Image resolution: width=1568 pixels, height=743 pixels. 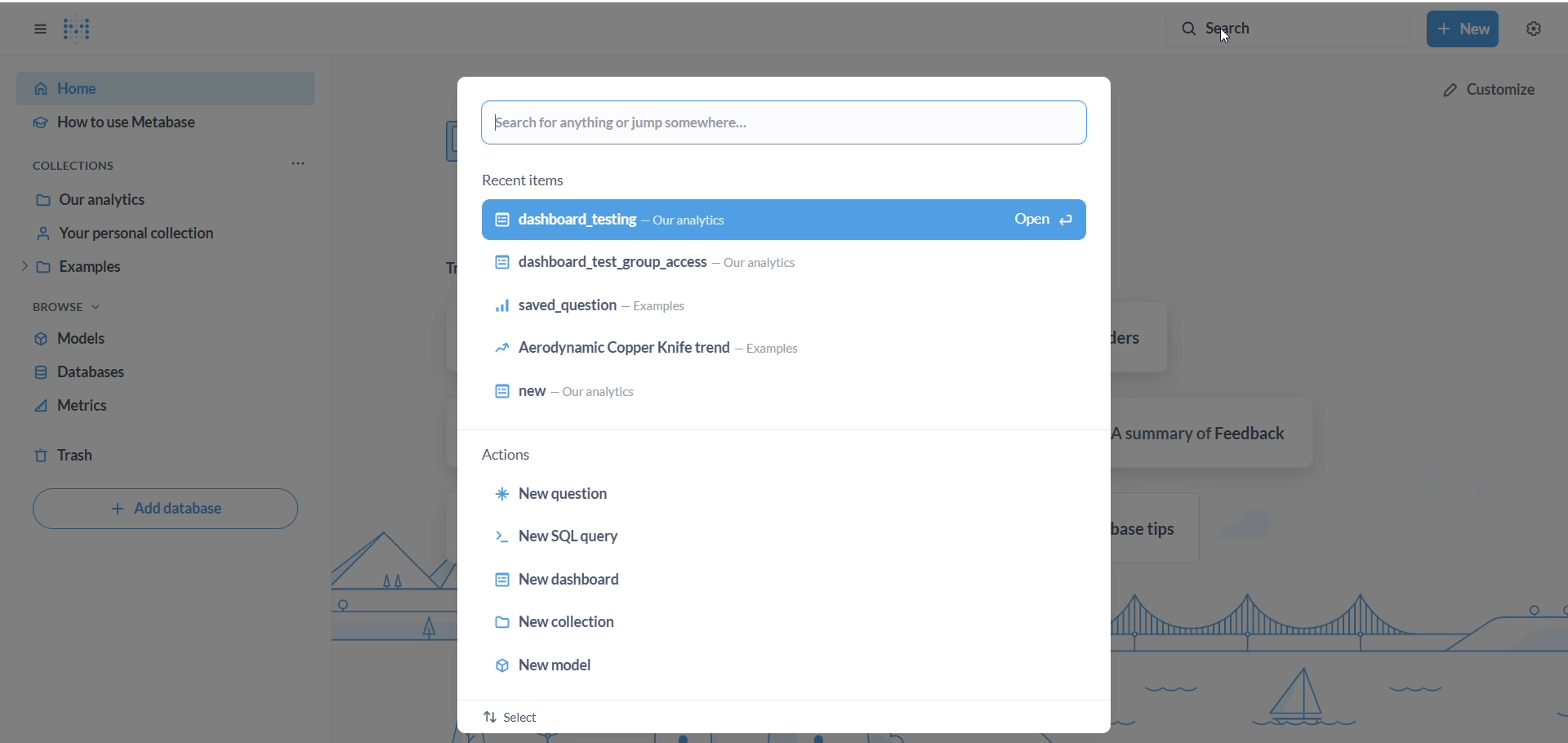 I want to click on SEARCH BUTTON, so click(x=1287, y=29).